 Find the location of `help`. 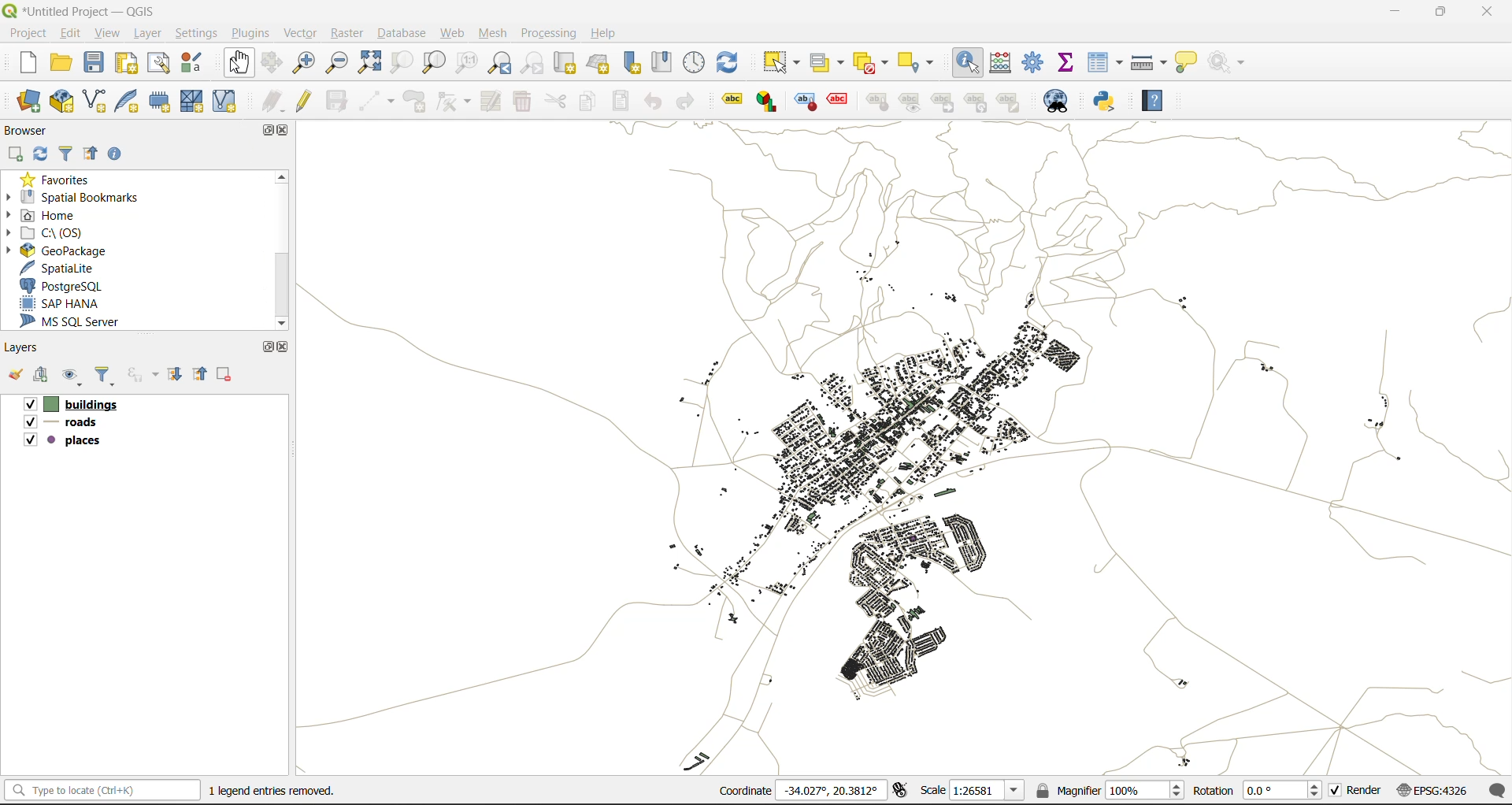

help is located at coordinates (606, 34).